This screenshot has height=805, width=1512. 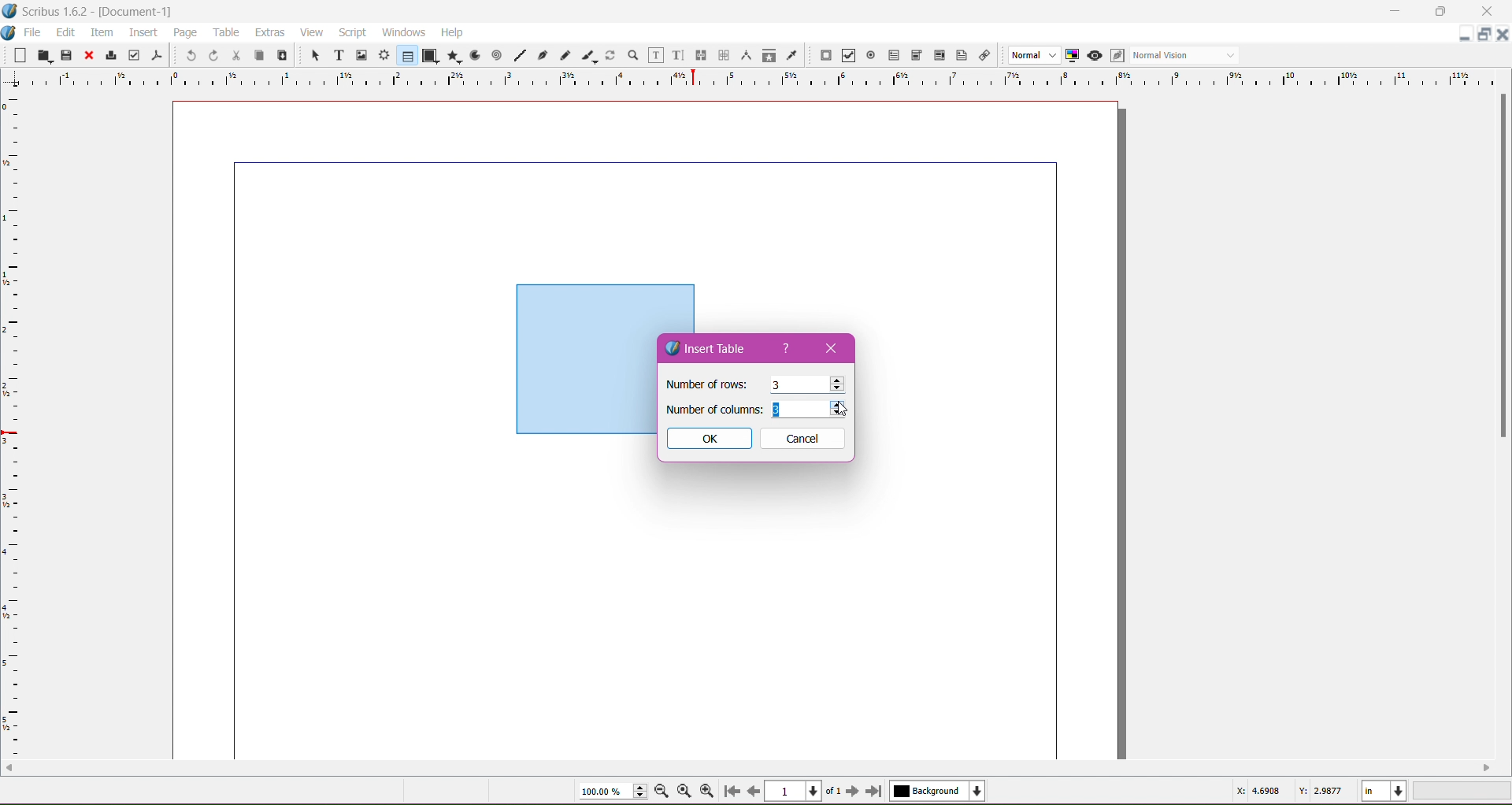 What do you see at coordinates (352, 32) in the screenshot?
I see `` at bounding box center [352, 32].